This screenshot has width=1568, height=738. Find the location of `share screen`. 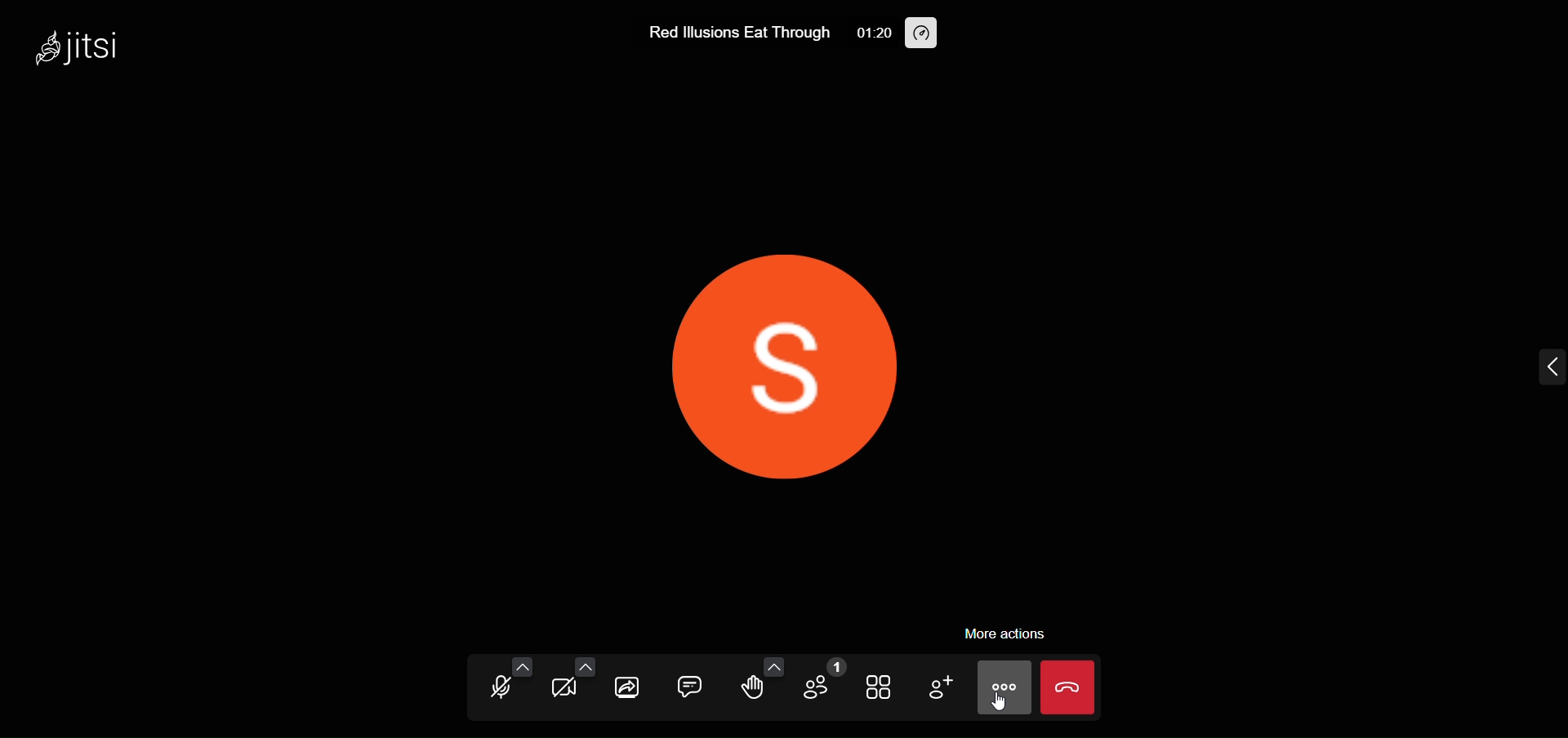

share screen is located at coordinates (627, 687).